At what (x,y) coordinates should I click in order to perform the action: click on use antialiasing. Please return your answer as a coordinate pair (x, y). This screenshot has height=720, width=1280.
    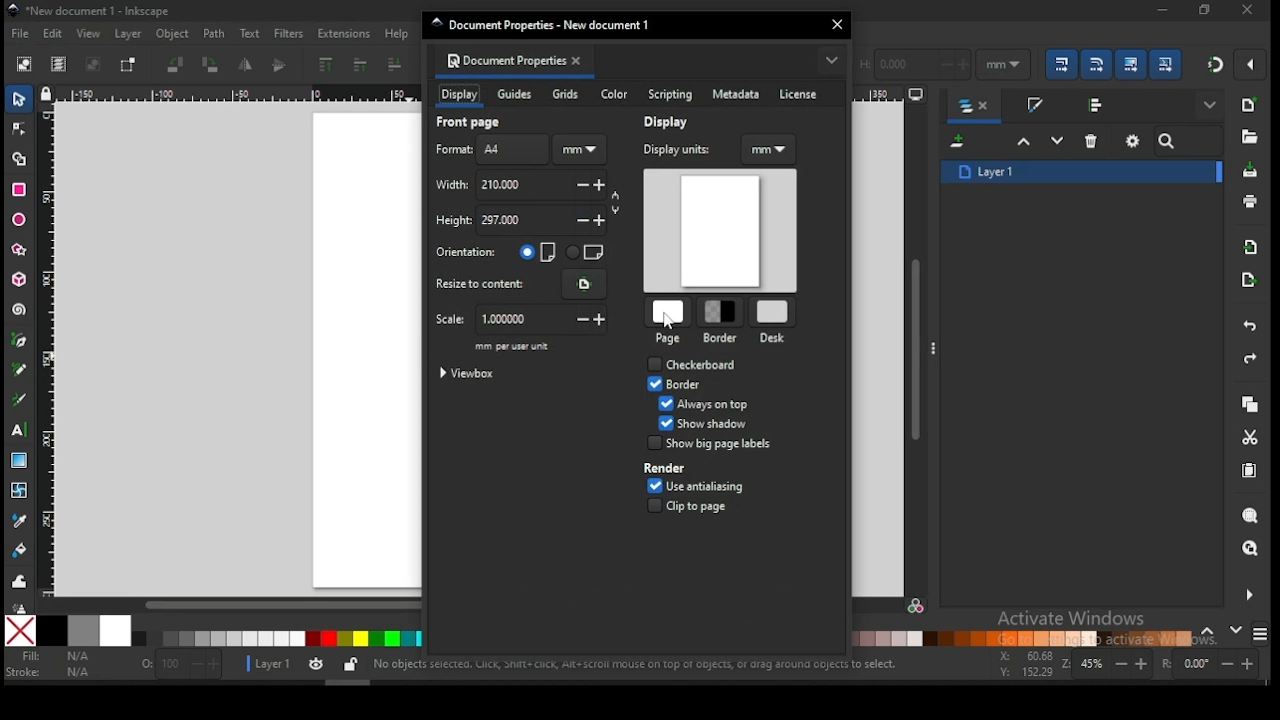
    Looking at the image, I should click on (696, 487).